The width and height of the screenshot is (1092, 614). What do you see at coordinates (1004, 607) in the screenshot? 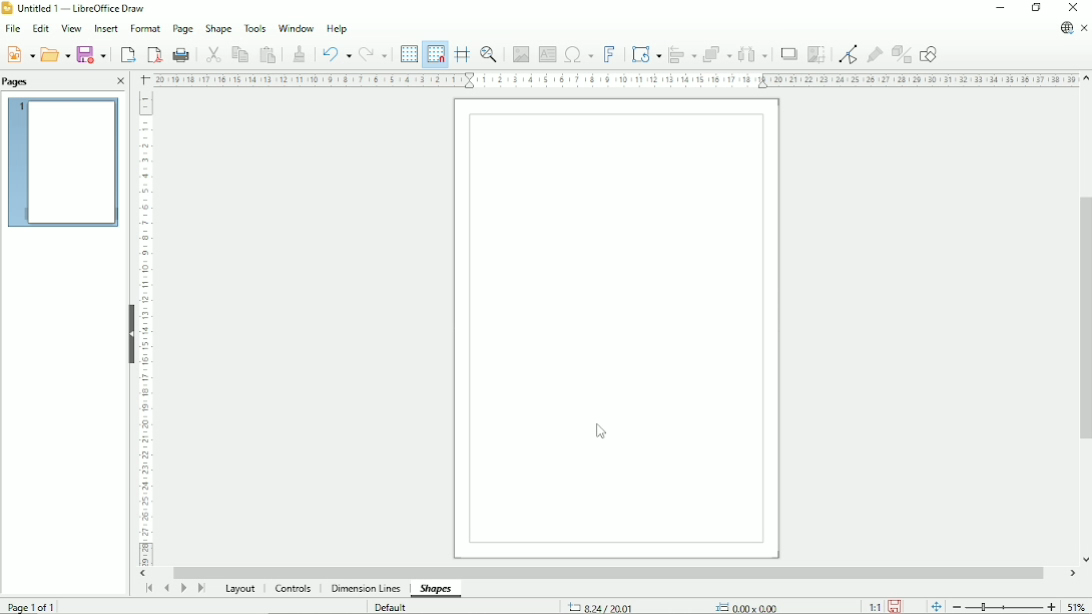
I see `Zoom out/in` at bounding box center [1004, 607].